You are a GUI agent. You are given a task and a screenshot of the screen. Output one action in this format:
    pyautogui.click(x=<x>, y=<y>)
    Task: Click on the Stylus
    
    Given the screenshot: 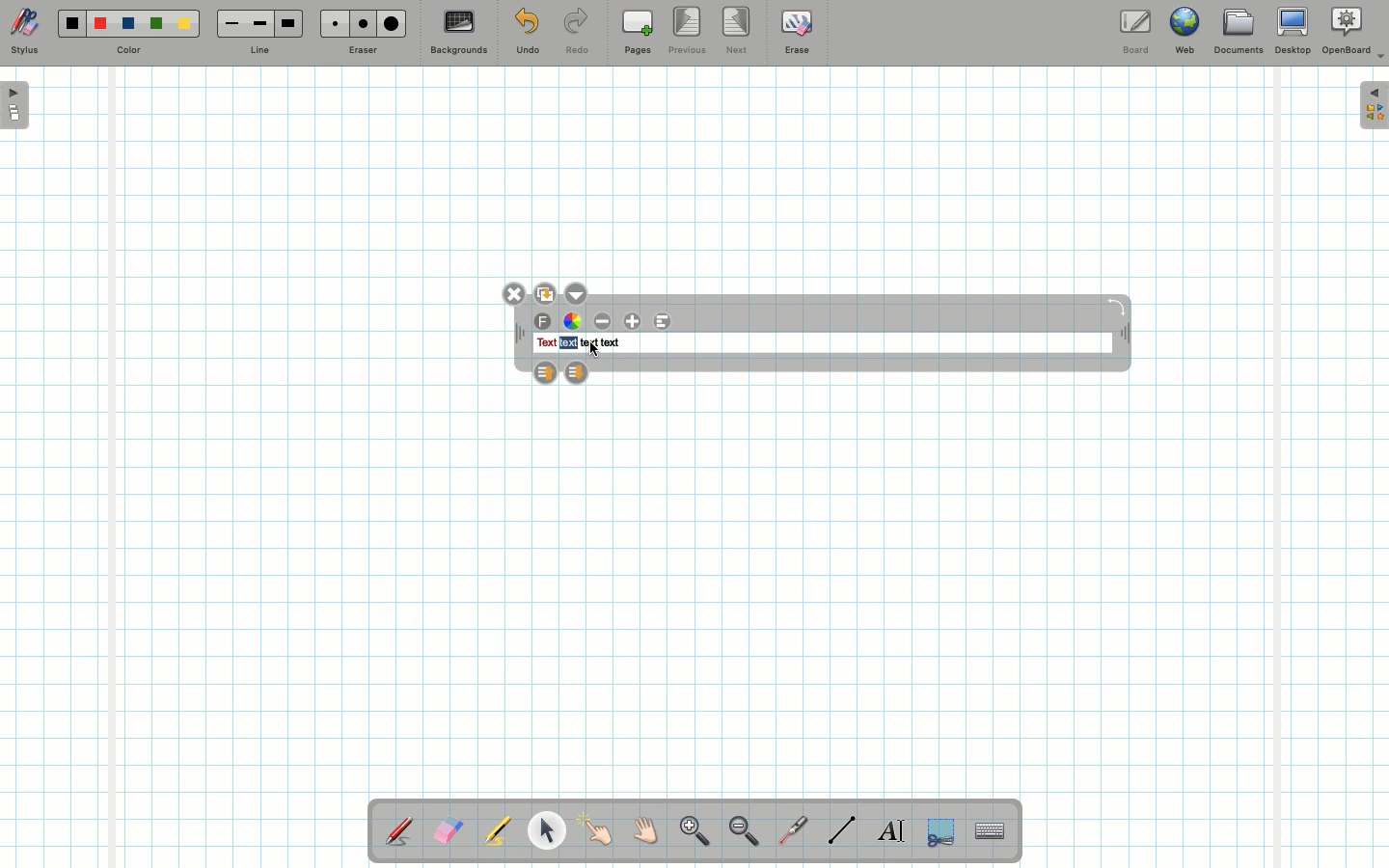 What is the action you would take?
    pyautogui.click(x=24, y=32)
    